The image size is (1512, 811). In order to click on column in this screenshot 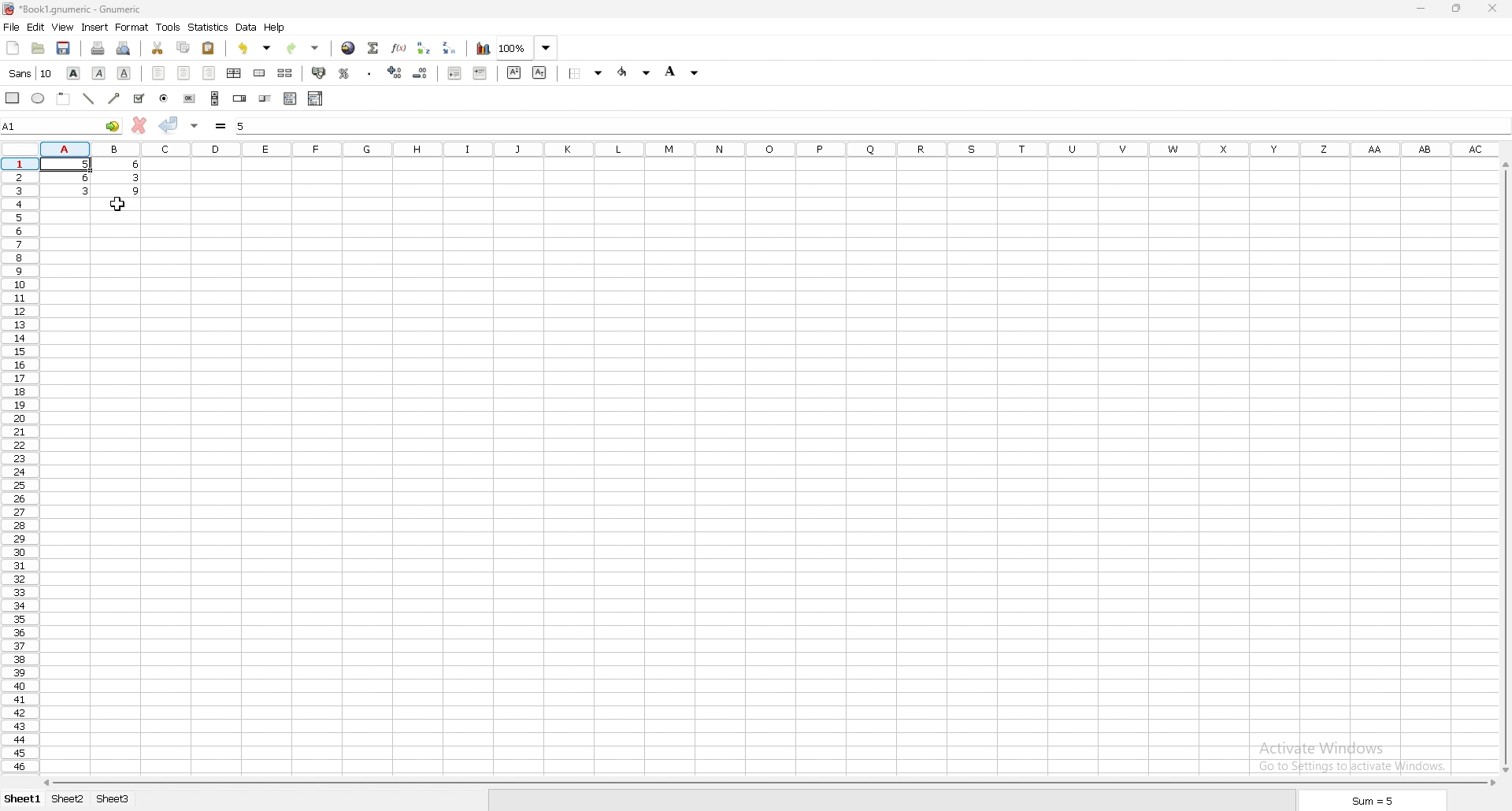, I will do `click(766, 150)`.